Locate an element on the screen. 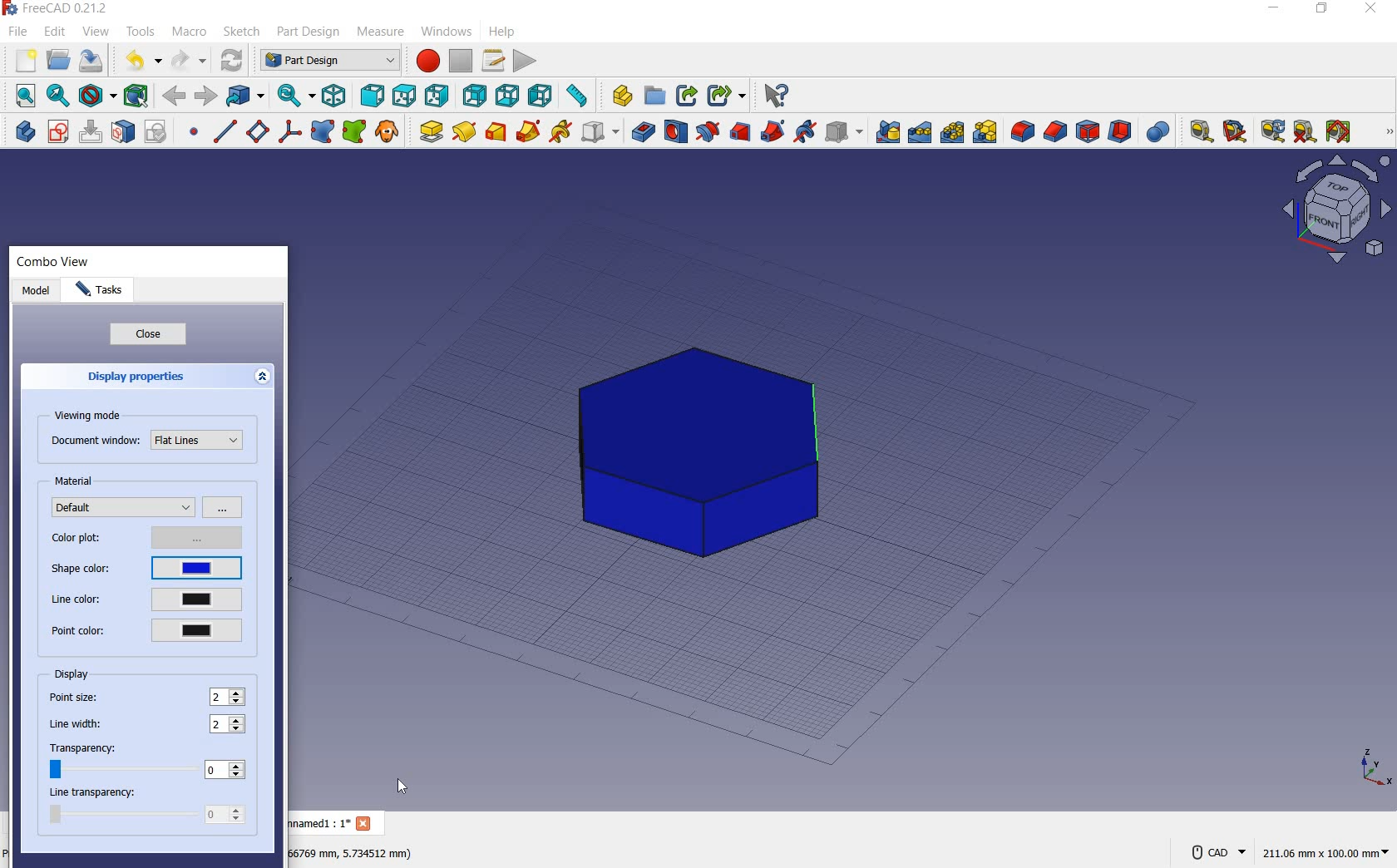 The image size is (1397, 868). shape (color added to shape) is located at coordinates (701, 450).